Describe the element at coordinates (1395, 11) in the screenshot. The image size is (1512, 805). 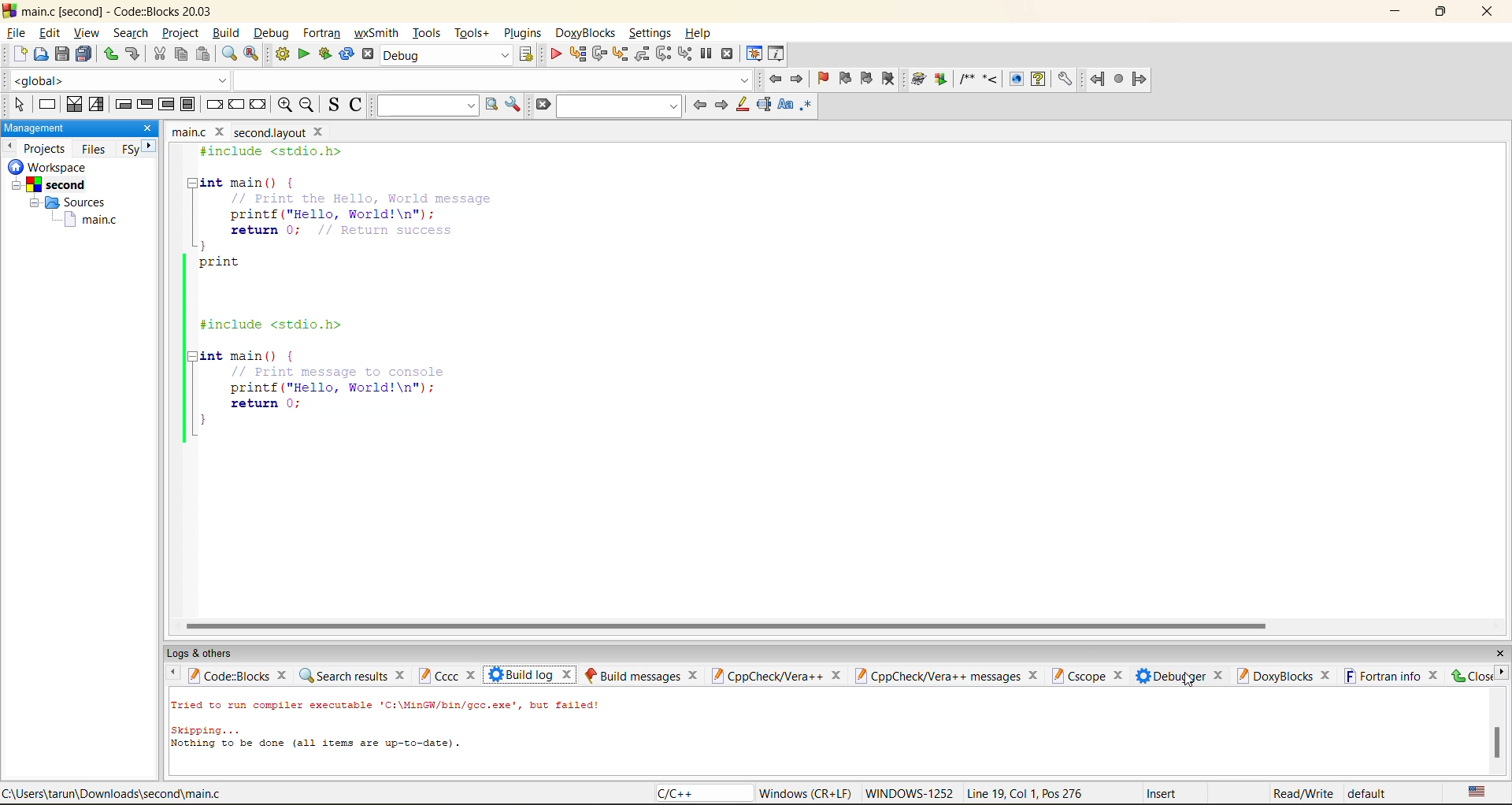
I see `minimize` at that location.